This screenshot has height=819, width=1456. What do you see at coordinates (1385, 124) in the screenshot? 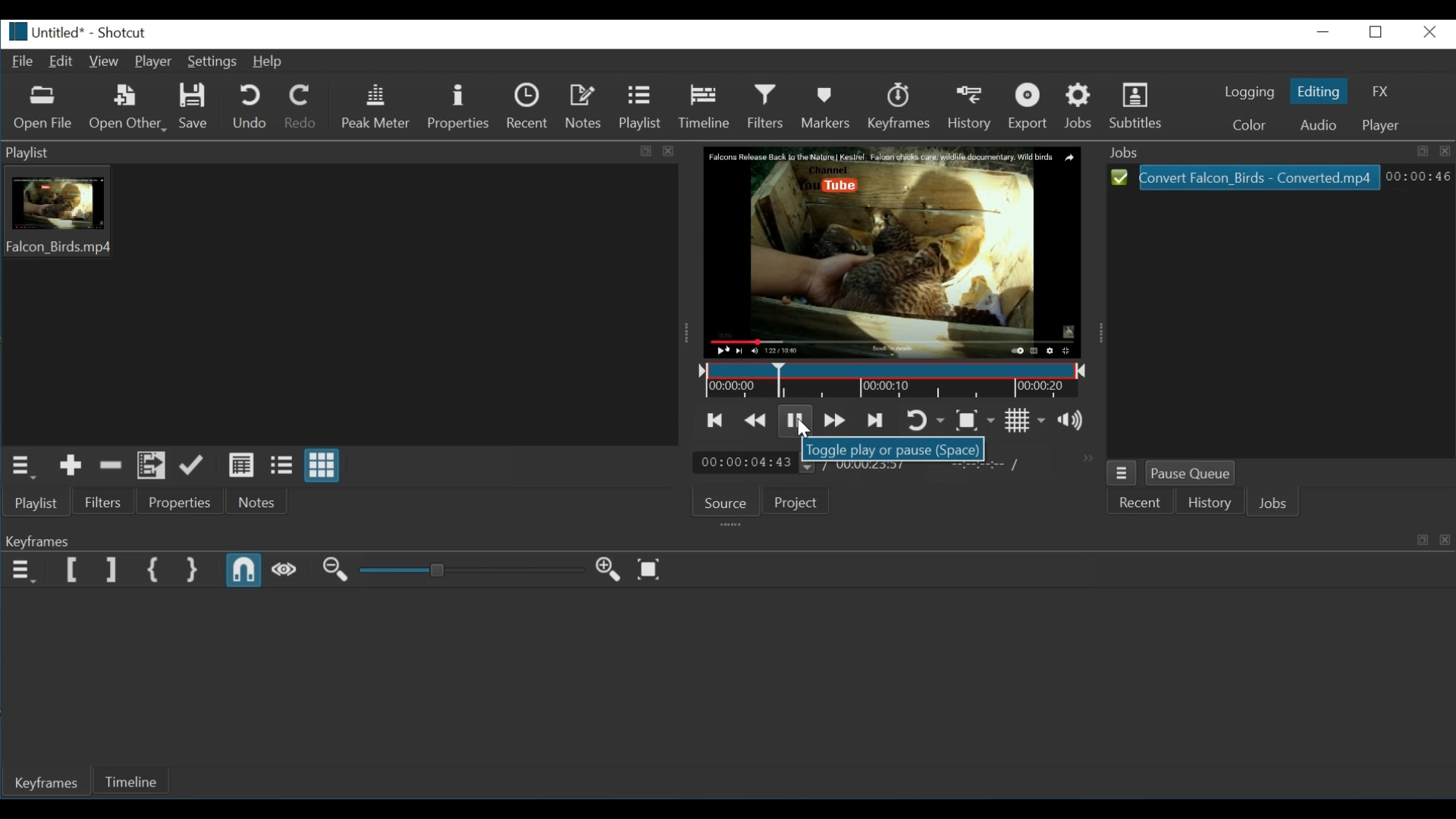
I see `Player` at bounding box center [1385, 124].